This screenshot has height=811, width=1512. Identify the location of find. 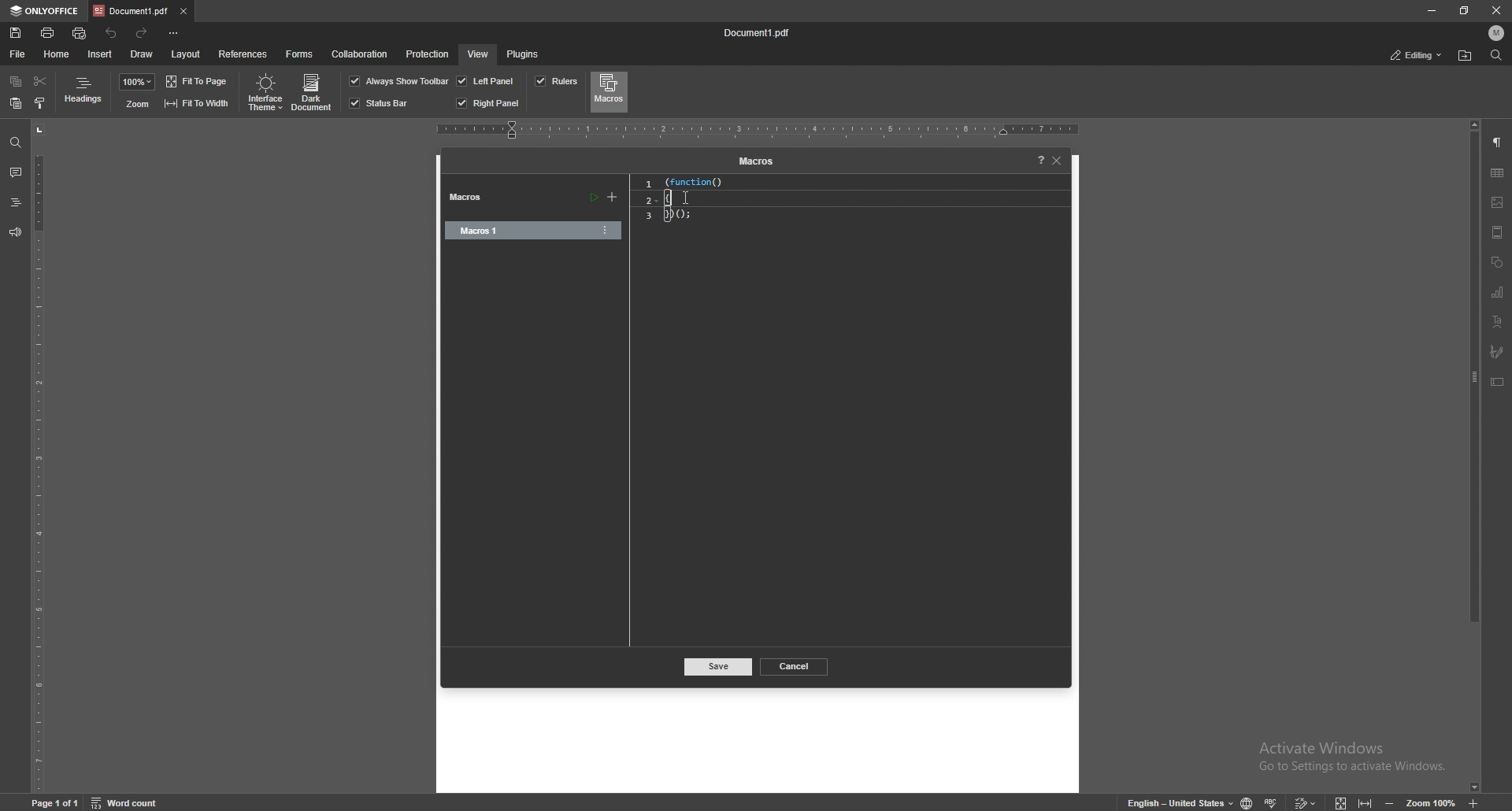
(1495, 56).